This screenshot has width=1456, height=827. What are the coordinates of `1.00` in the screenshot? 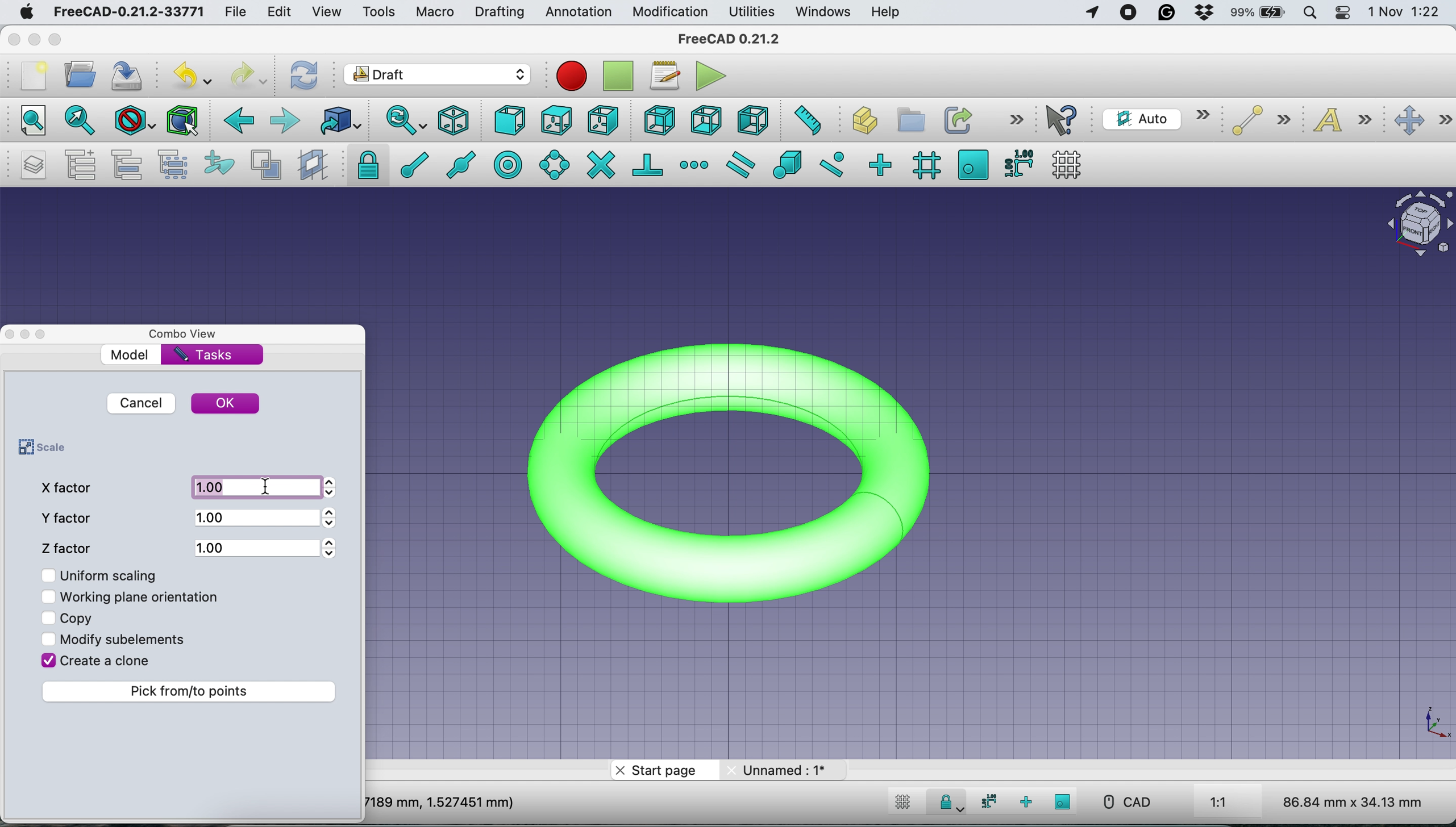 It's located at (255, 516).